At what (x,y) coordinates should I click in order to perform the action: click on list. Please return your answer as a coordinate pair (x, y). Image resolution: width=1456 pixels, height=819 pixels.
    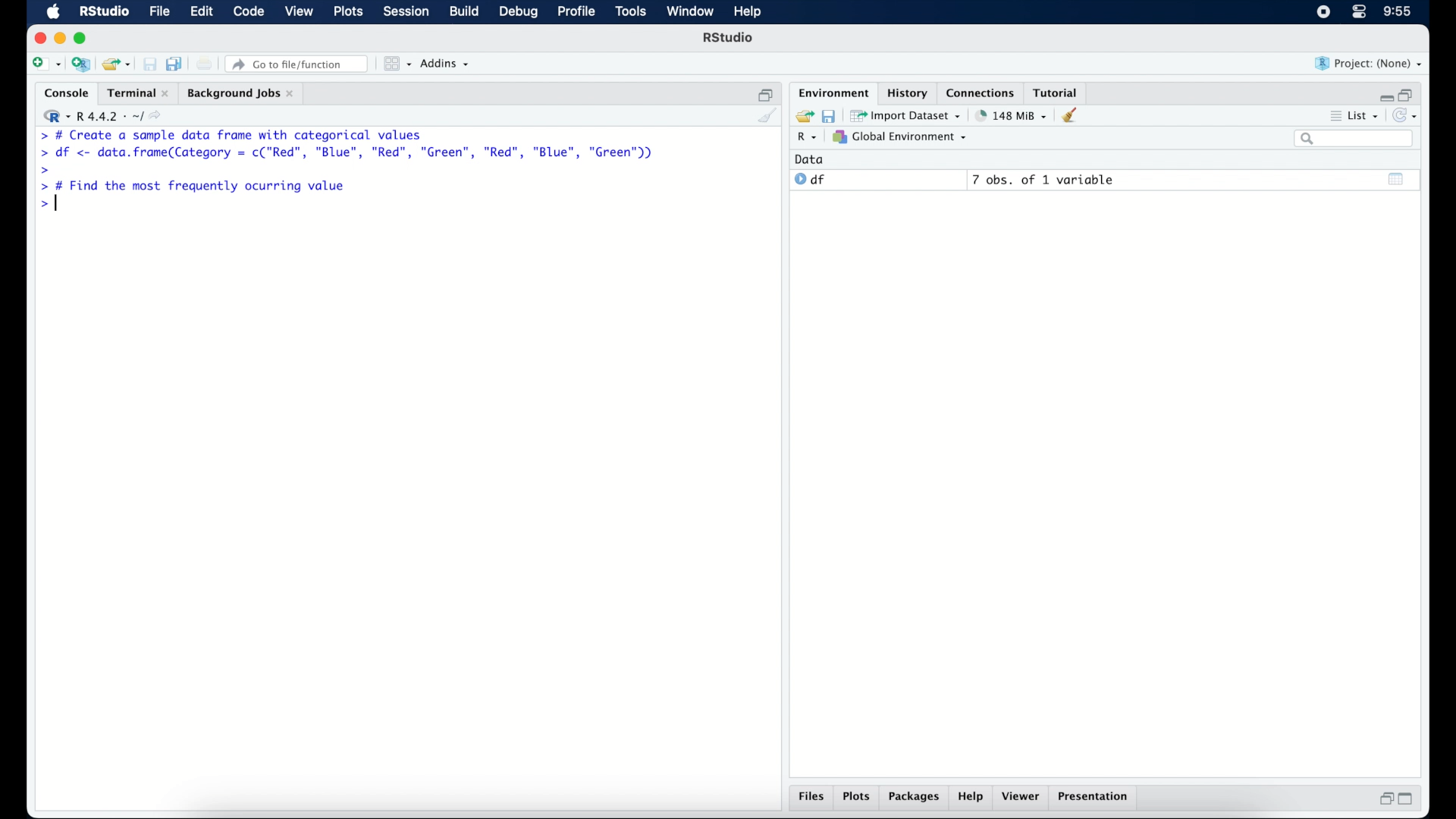
    Looking at the image, I should click on (1366, 115).